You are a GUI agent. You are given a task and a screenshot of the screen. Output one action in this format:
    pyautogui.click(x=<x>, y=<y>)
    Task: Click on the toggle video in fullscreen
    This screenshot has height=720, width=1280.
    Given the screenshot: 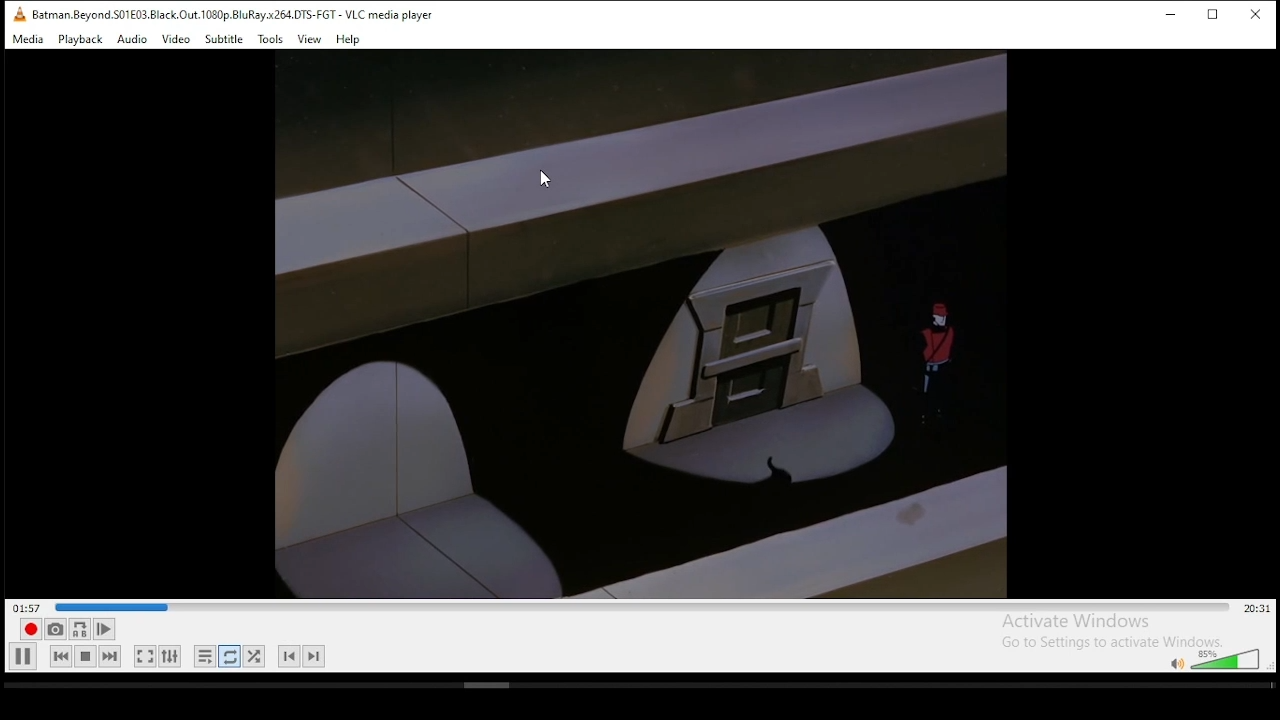 What is the action you would take?
    pyautogui.click(x=145, y=656)
    